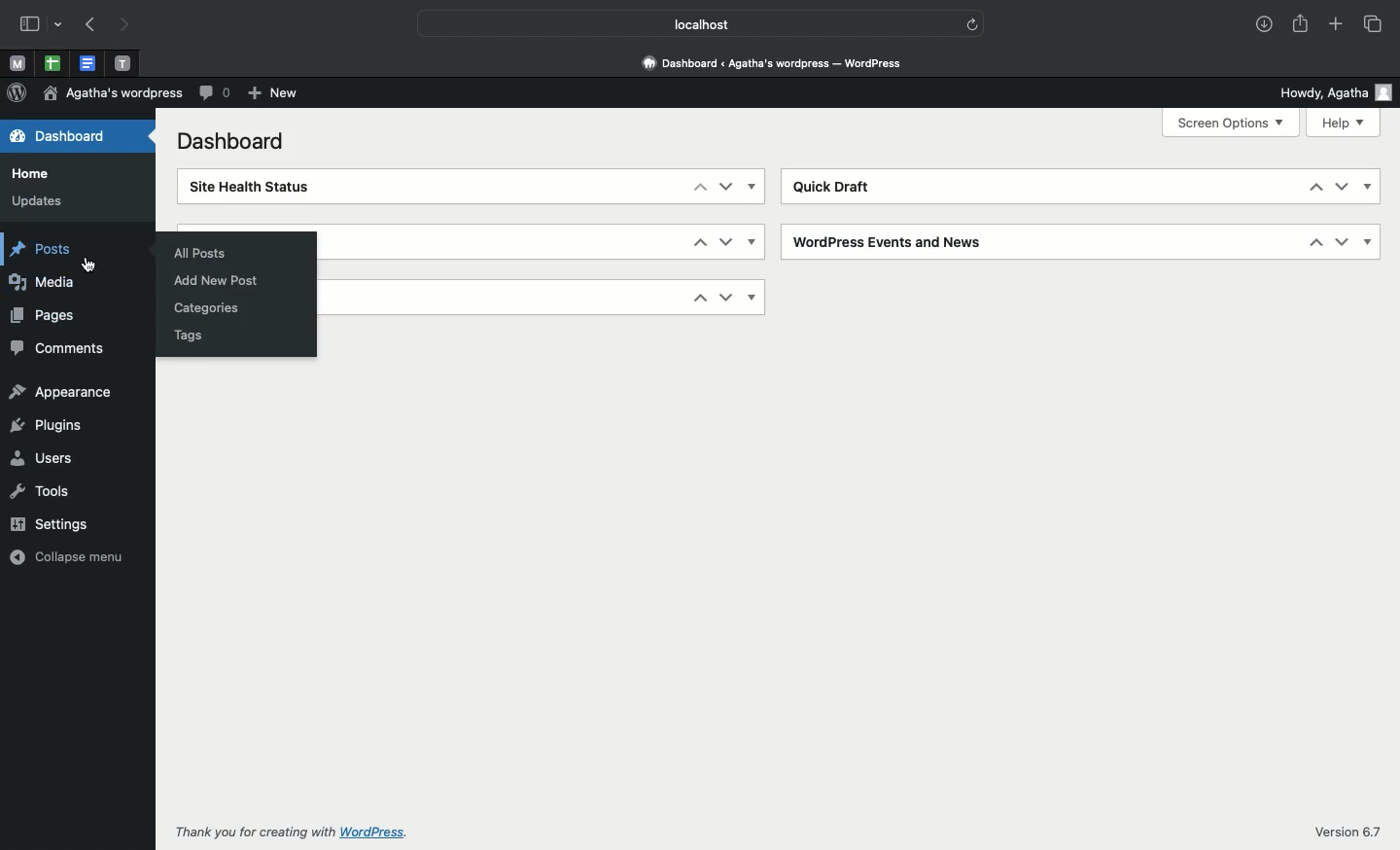 This screenshot has width=1400, height=850. Describe the element at coordinates (35, 200) in the screenshot. I see `Updates` at that location.